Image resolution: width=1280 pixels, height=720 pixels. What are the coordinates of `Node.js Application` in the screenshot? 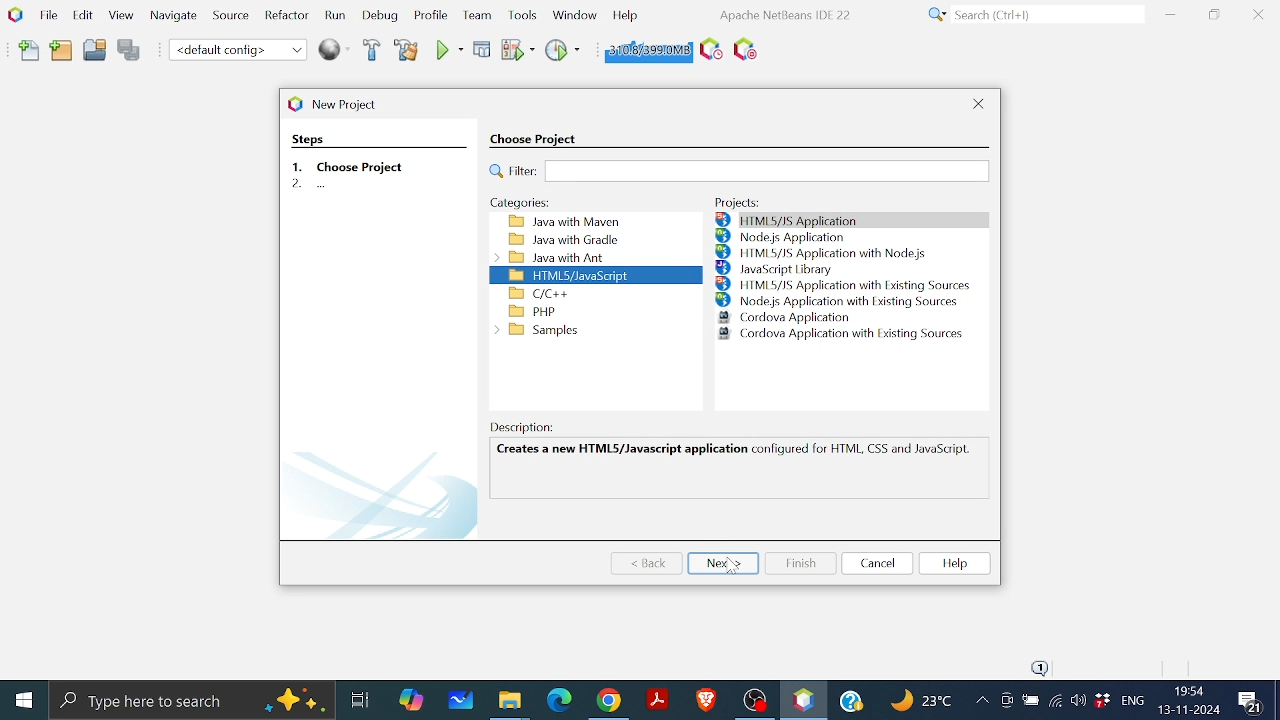 It's located at (789, 236).